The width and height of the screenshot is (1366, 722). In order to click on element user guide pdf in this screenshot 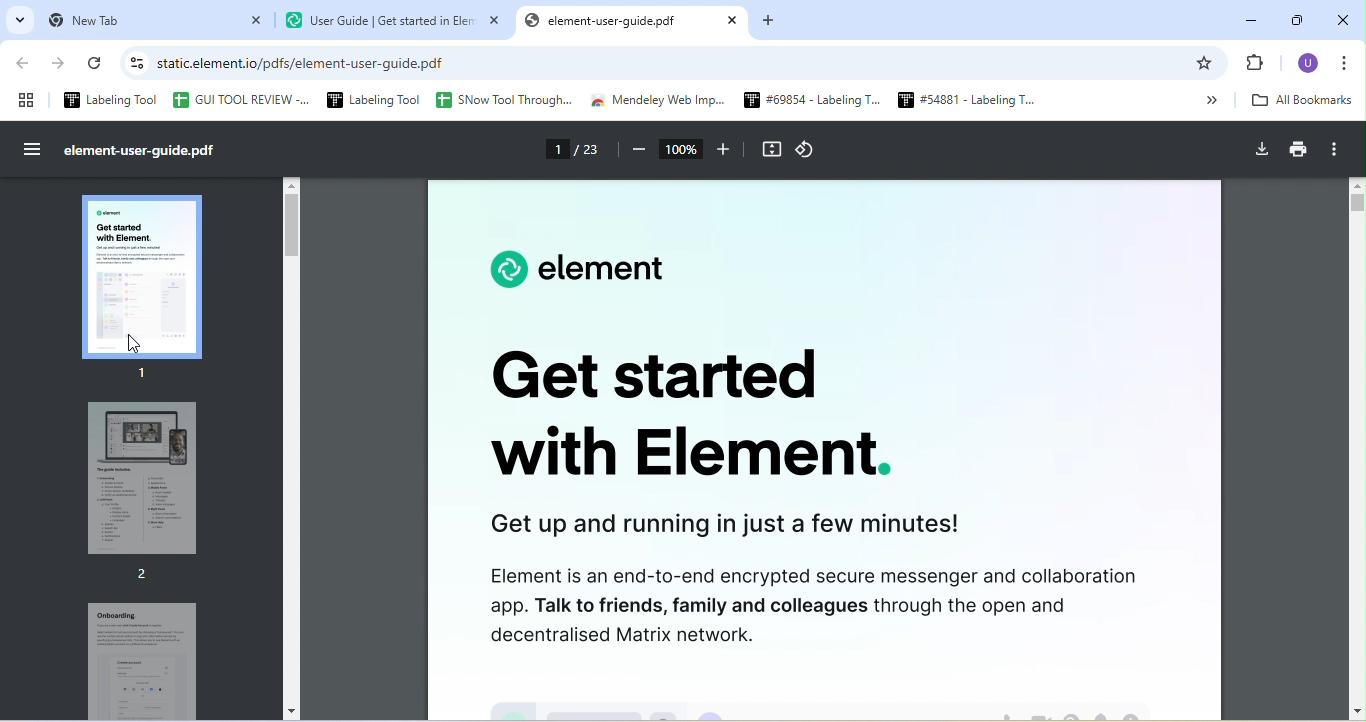, I will do `click(637, 23)`.